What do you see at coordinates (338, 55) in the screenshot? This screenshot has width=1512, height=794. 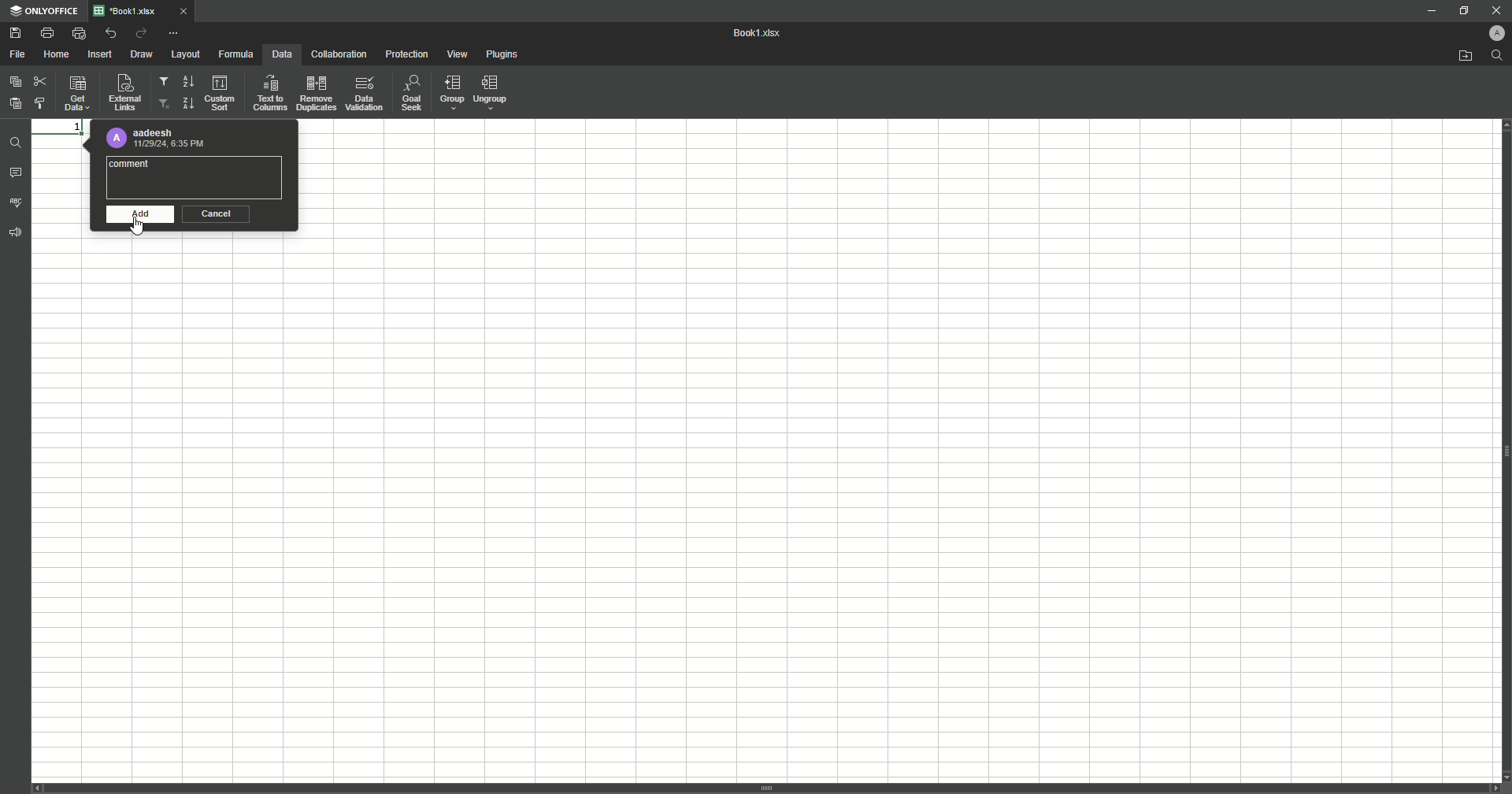 I see `Collaboration` at bounding box center [338, 55].